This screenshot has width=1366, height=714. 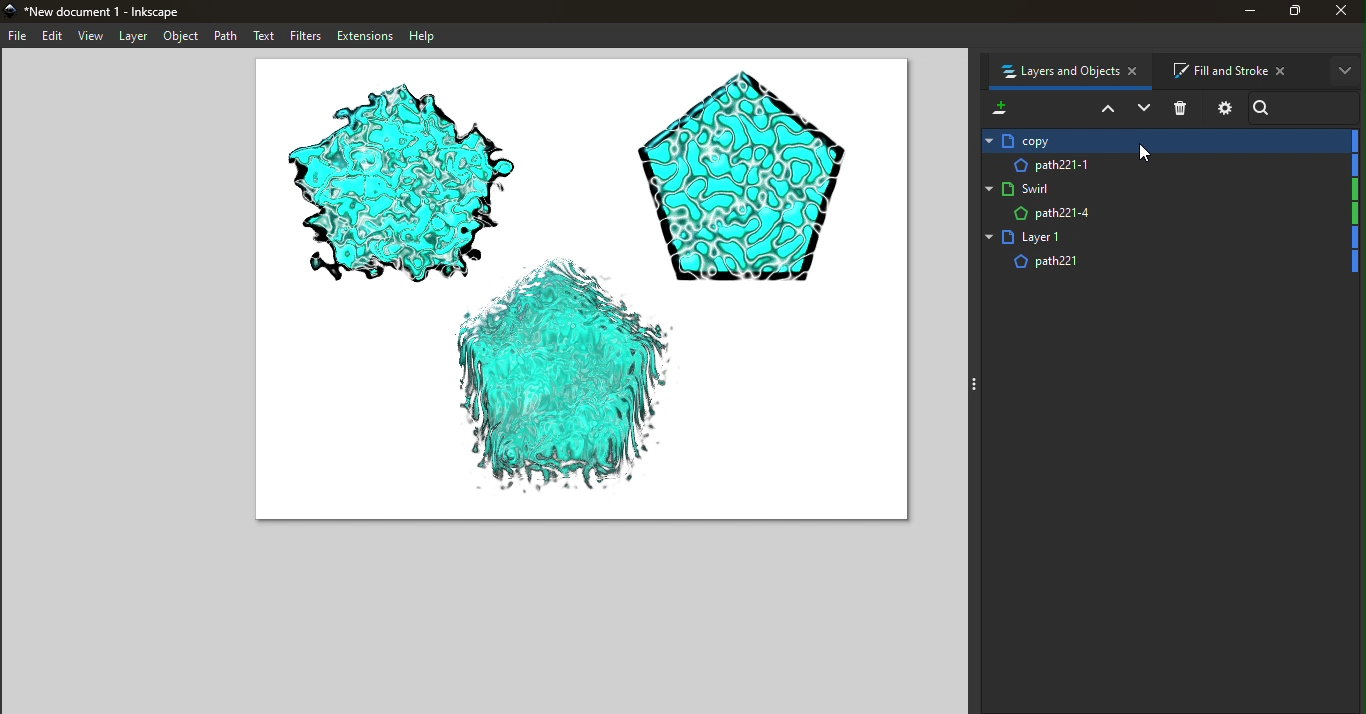 What do you see at coordinates (225, 36) in the screenshot?
I see `Path` at bounding box center [225, 36].